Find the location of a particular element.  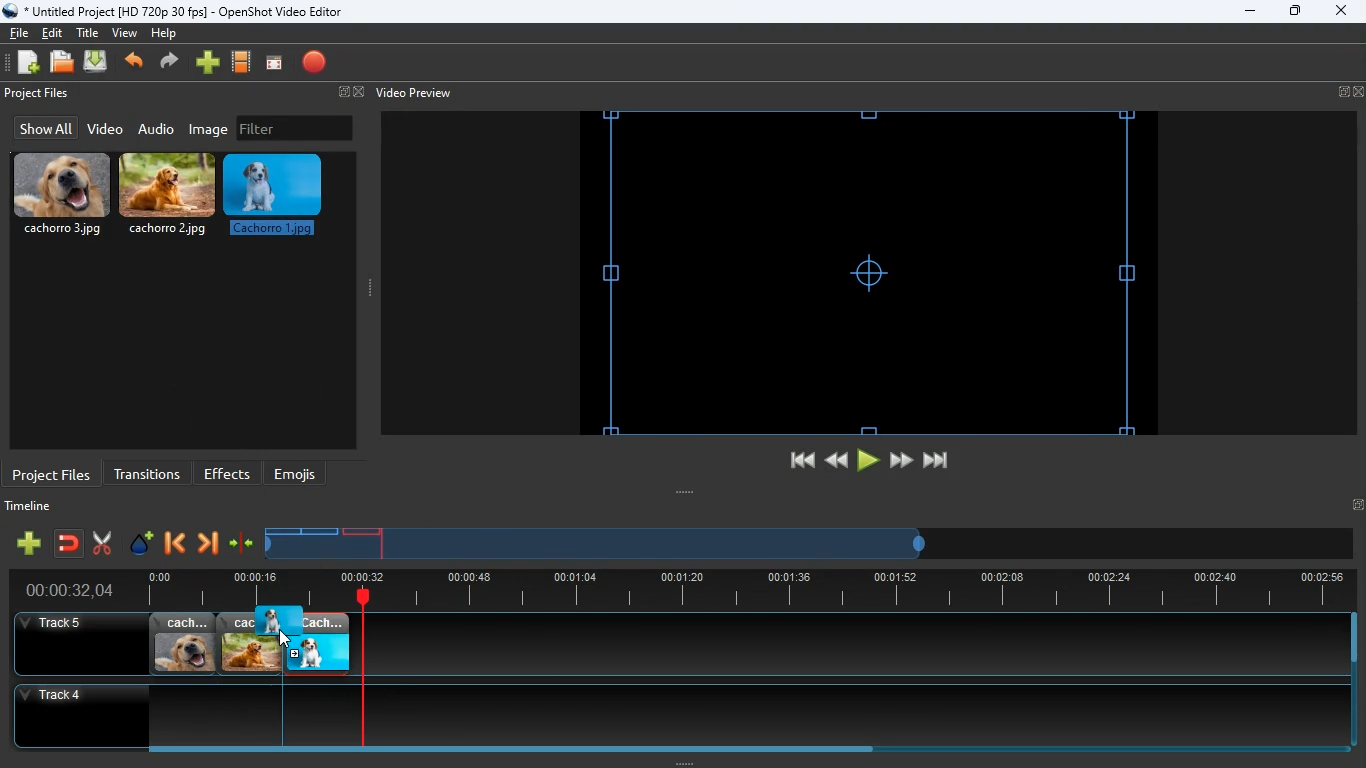

add is located at coordinates (208, 63).